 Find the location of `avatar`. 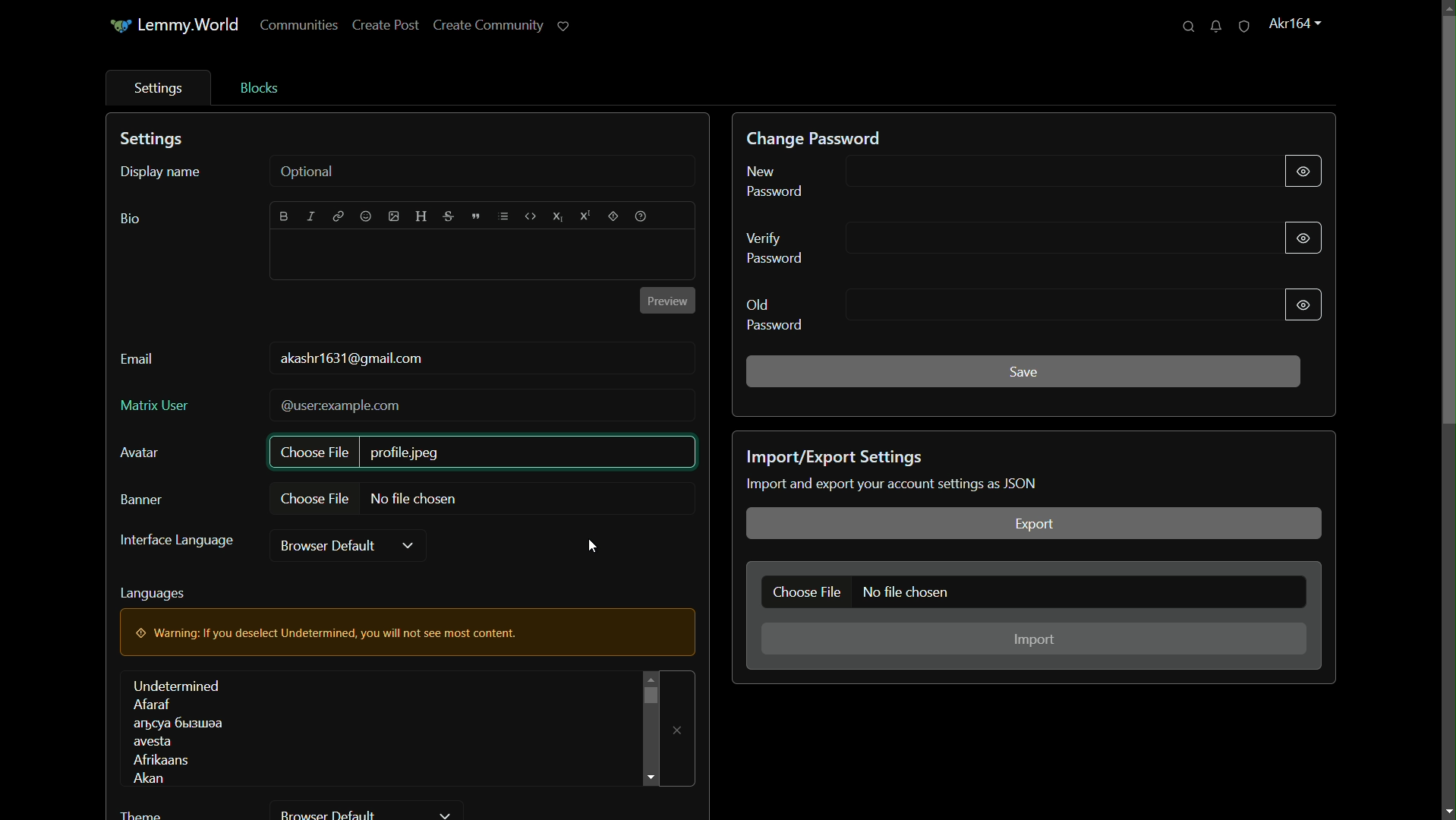

avatar is located at coordinates (140, 453).